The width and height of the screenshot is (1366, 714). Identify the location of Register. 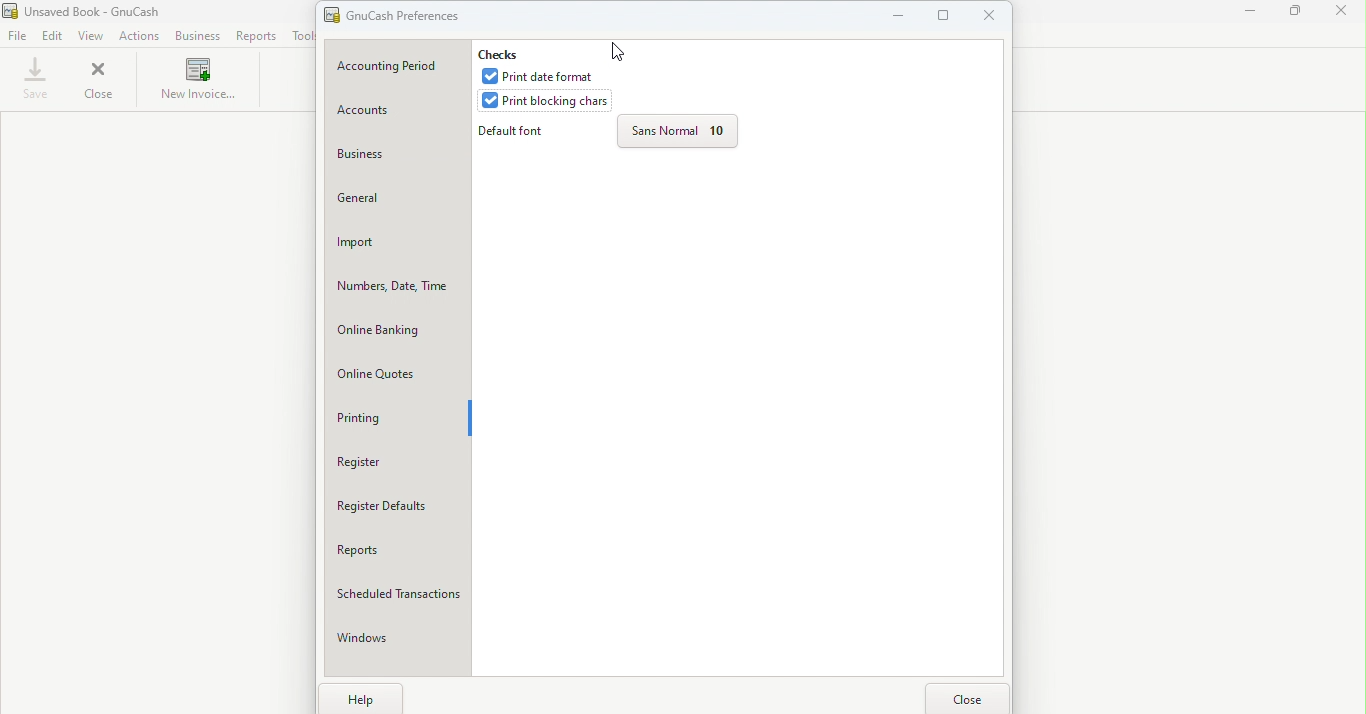
(400, 463).